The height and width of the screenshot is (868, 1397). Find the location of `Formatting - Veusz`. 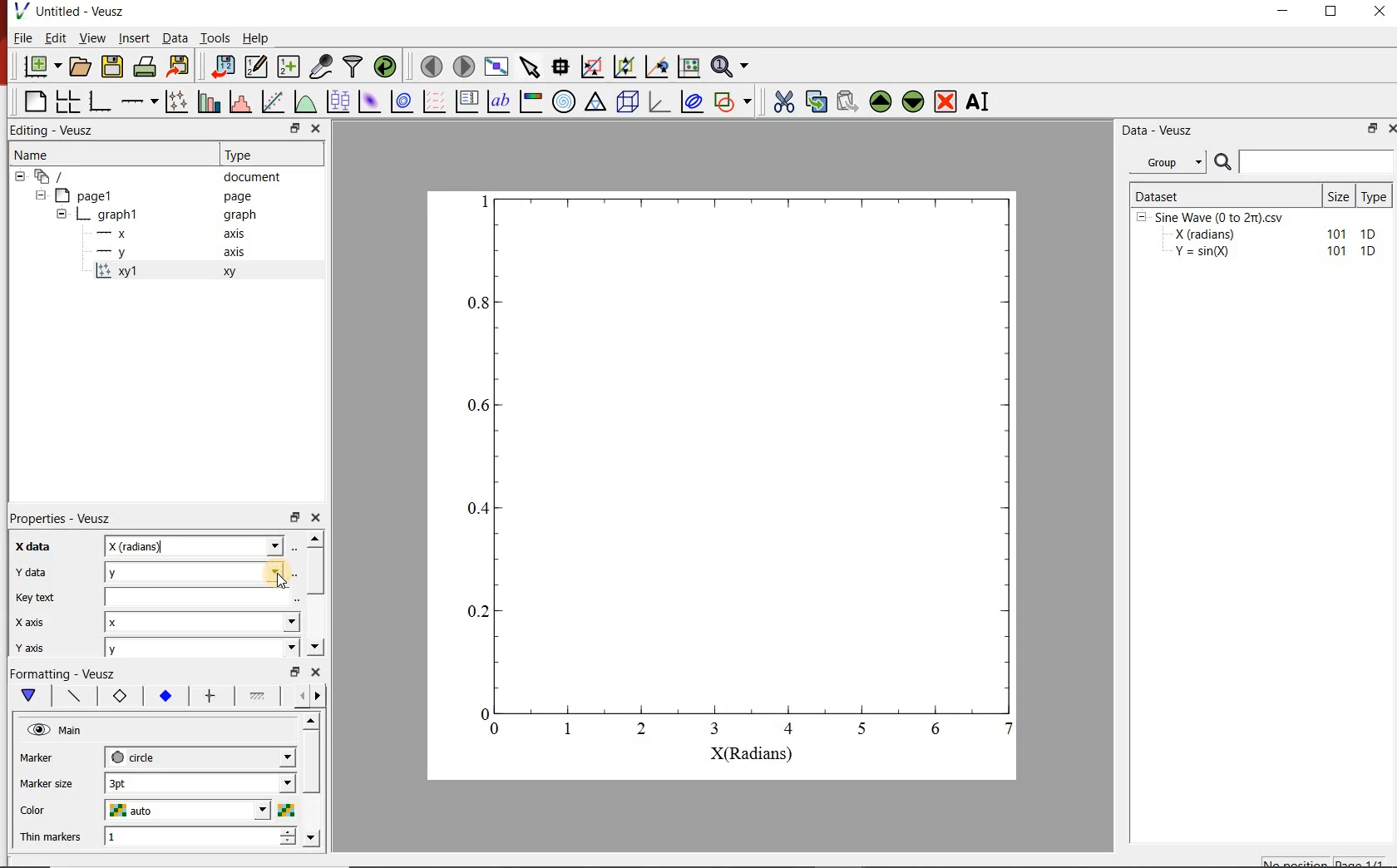

Formatting - Veusz is located at coordinates (62, 672).